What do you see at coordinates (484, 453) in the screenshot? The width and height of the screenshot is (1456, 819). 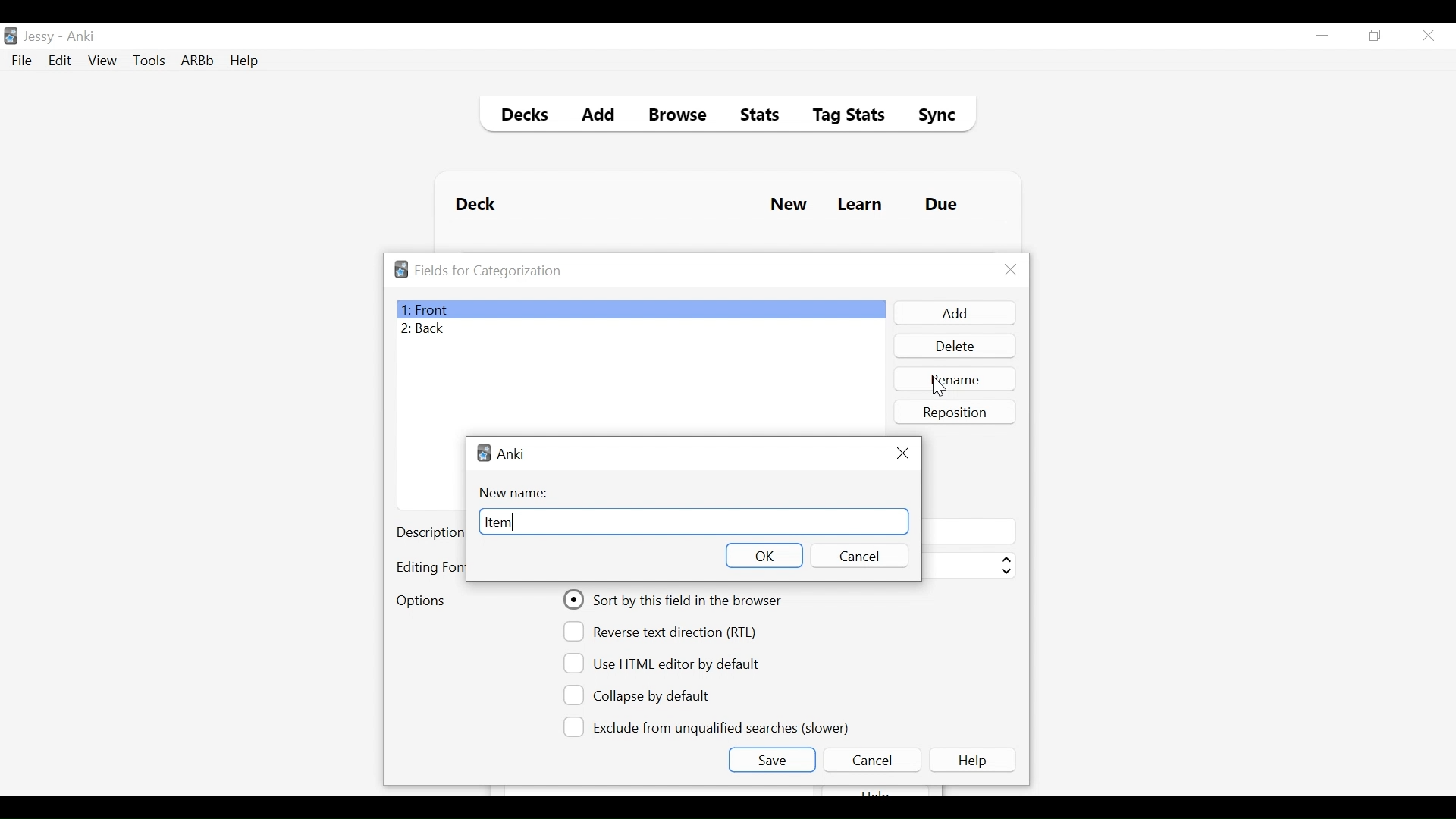 I see `Anki logo` at bounding box center [484, 453].